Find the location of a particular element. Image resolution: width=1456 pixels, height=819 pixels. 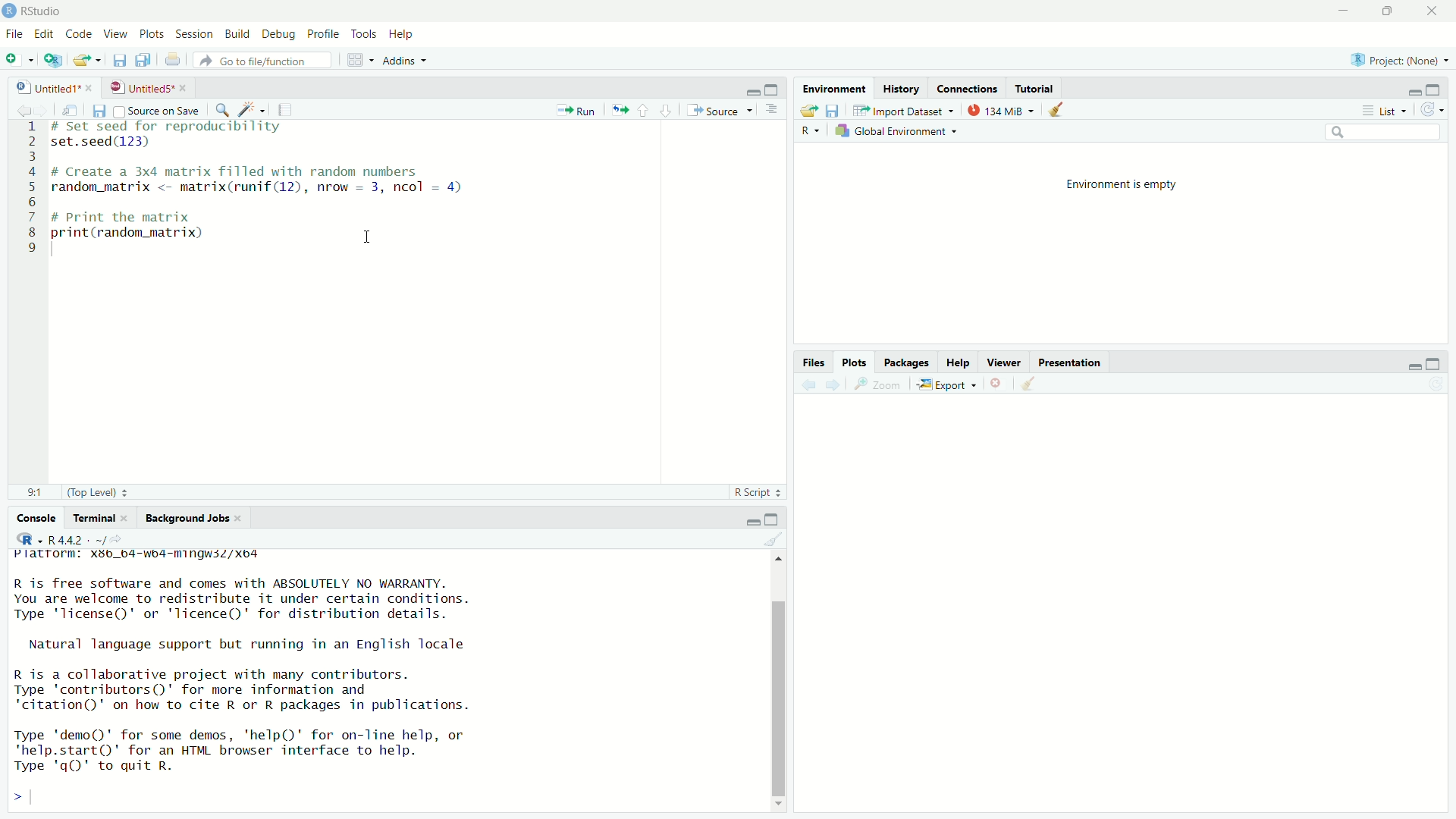

save is located at coordinates (98, 111).